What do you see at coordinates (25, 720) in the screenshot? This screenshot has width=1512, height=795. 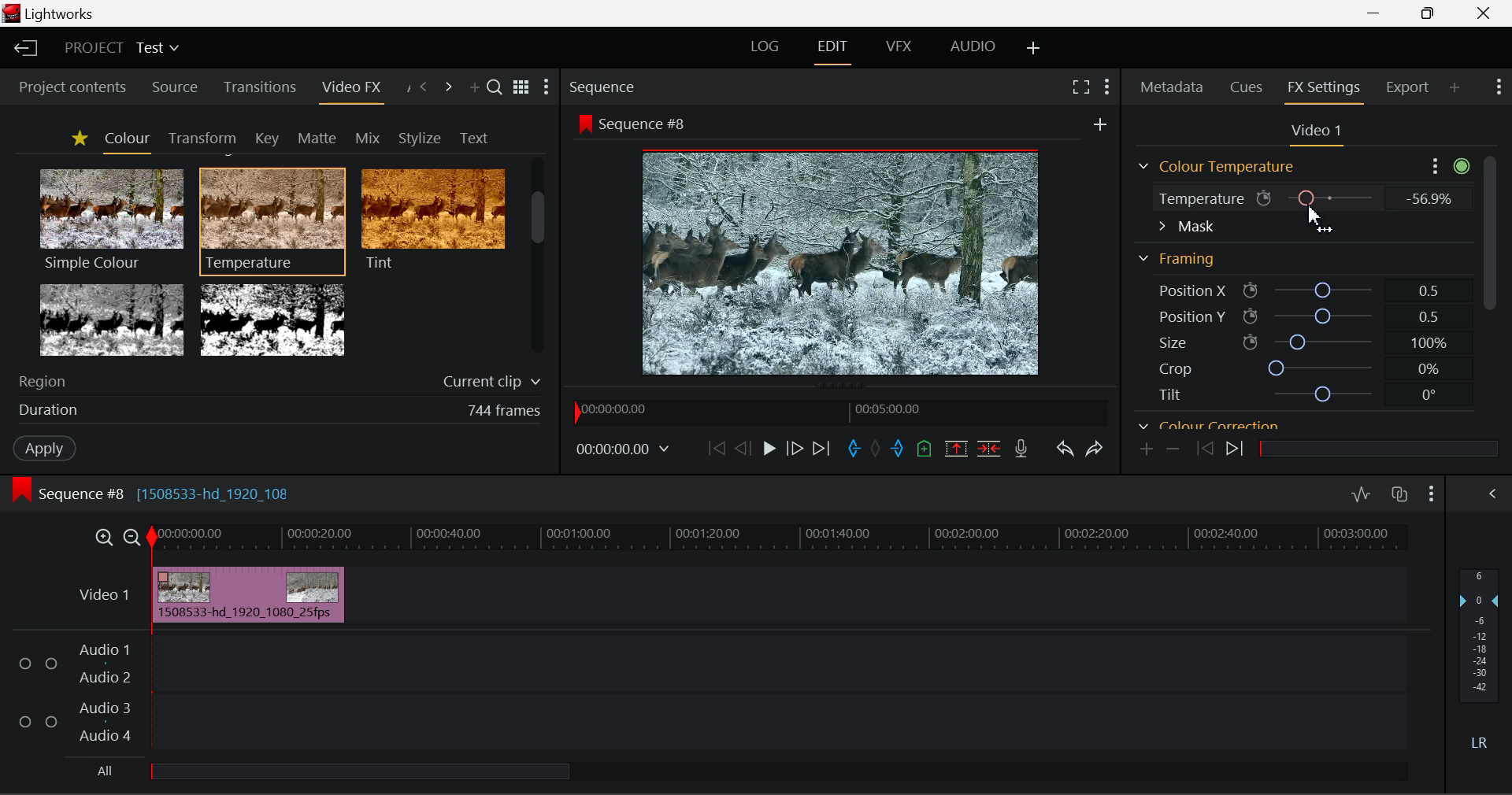 I see `Checkbox` at bounding box center [25, 720].